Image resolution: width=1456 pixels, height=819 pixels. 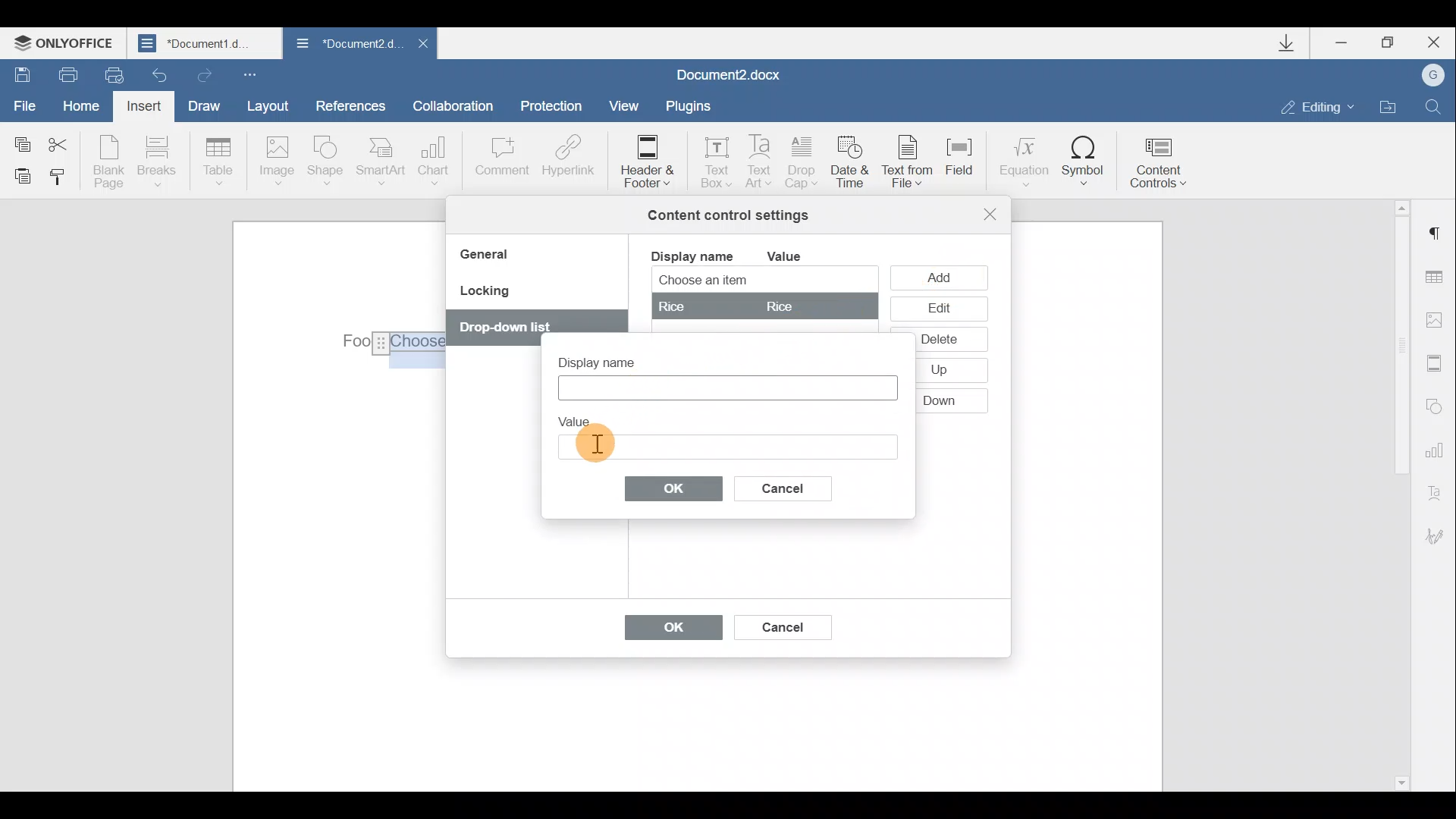 I want to click on Equation, so click(x=1022, y=158).